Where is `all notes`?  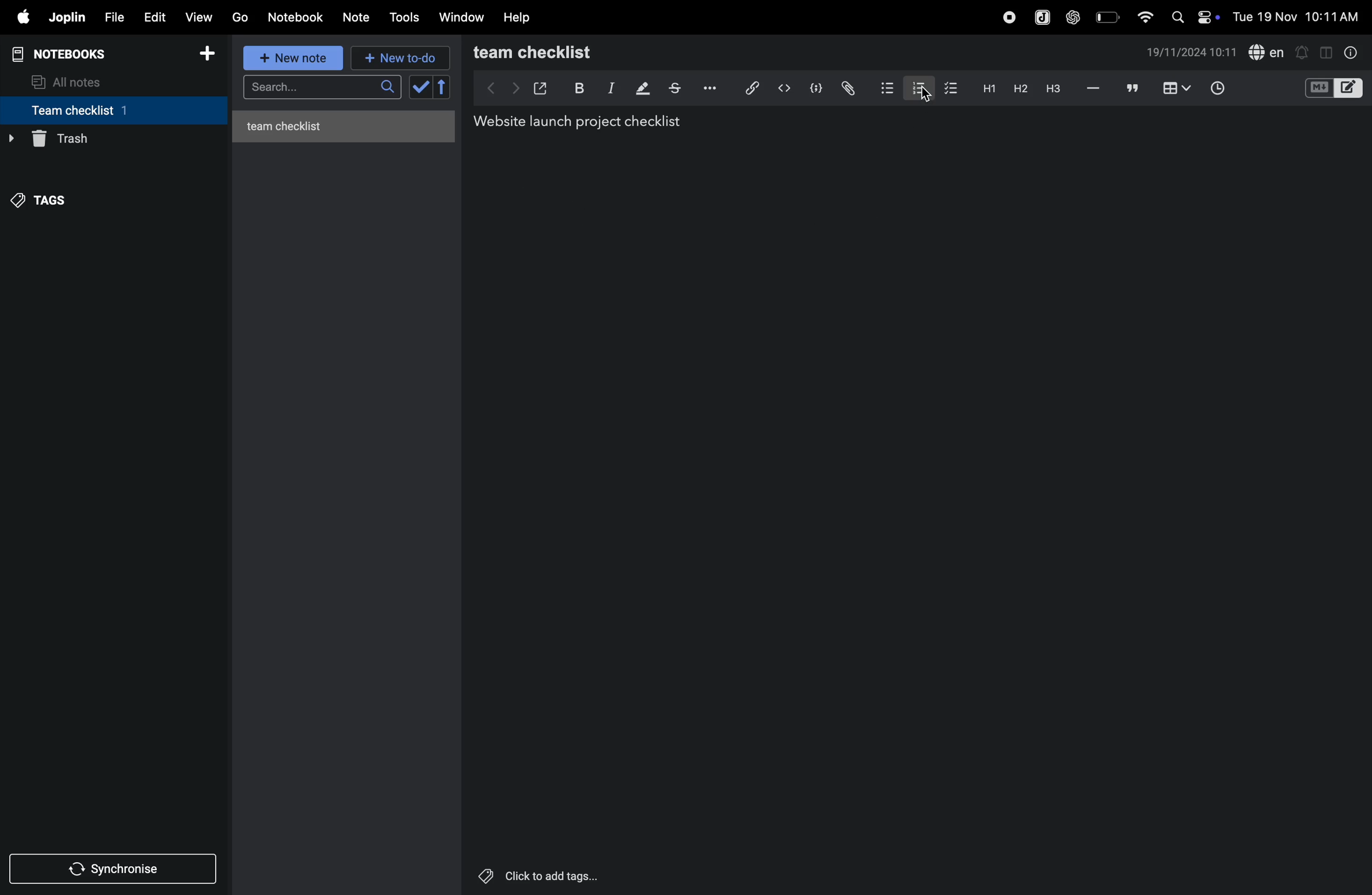 all notes is located at coordinates (76, 81).